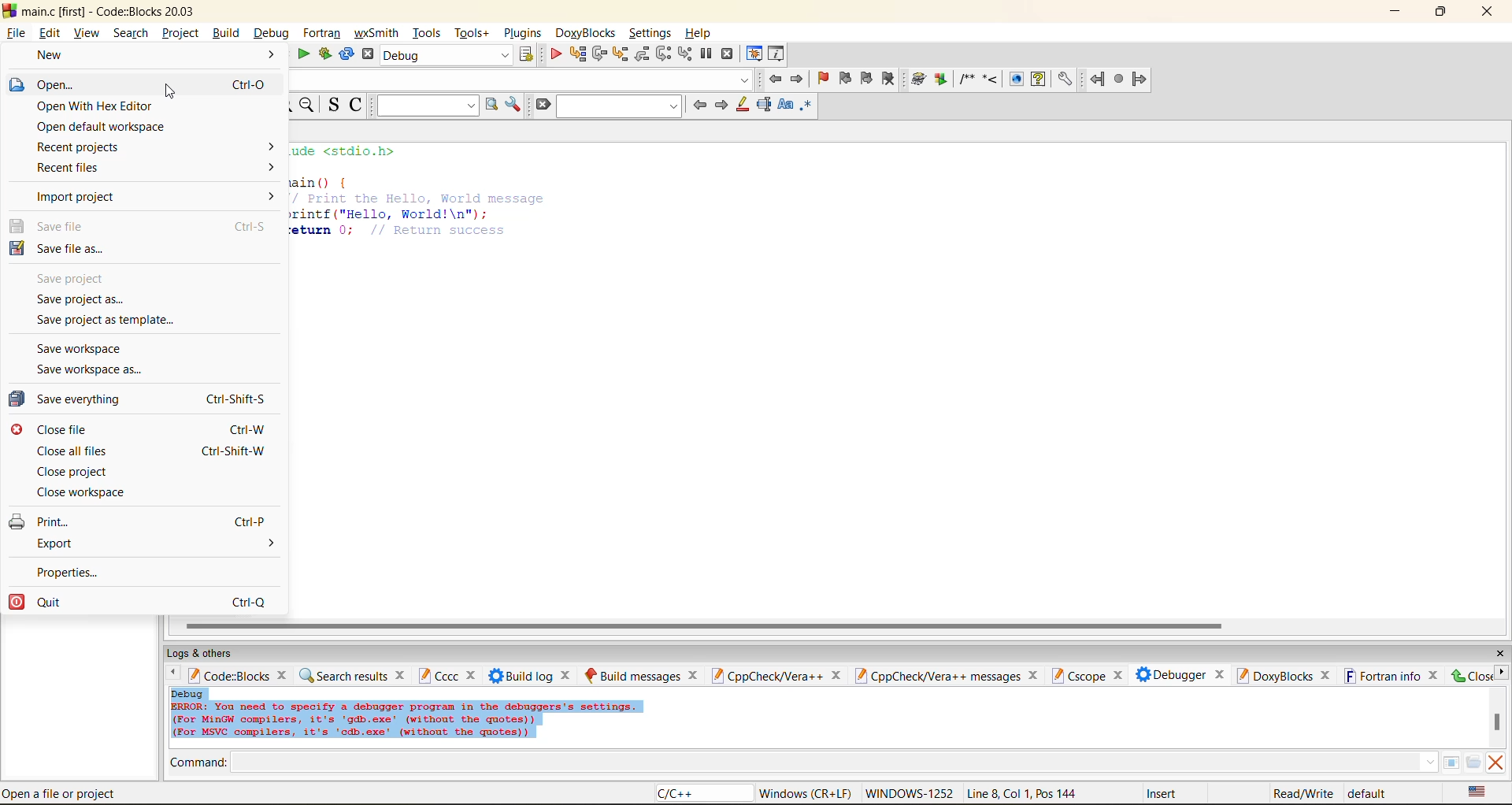 The height and width of the screenshot is (805, 1512). I want to click on horizontal scroll bar, so click(703, 626).